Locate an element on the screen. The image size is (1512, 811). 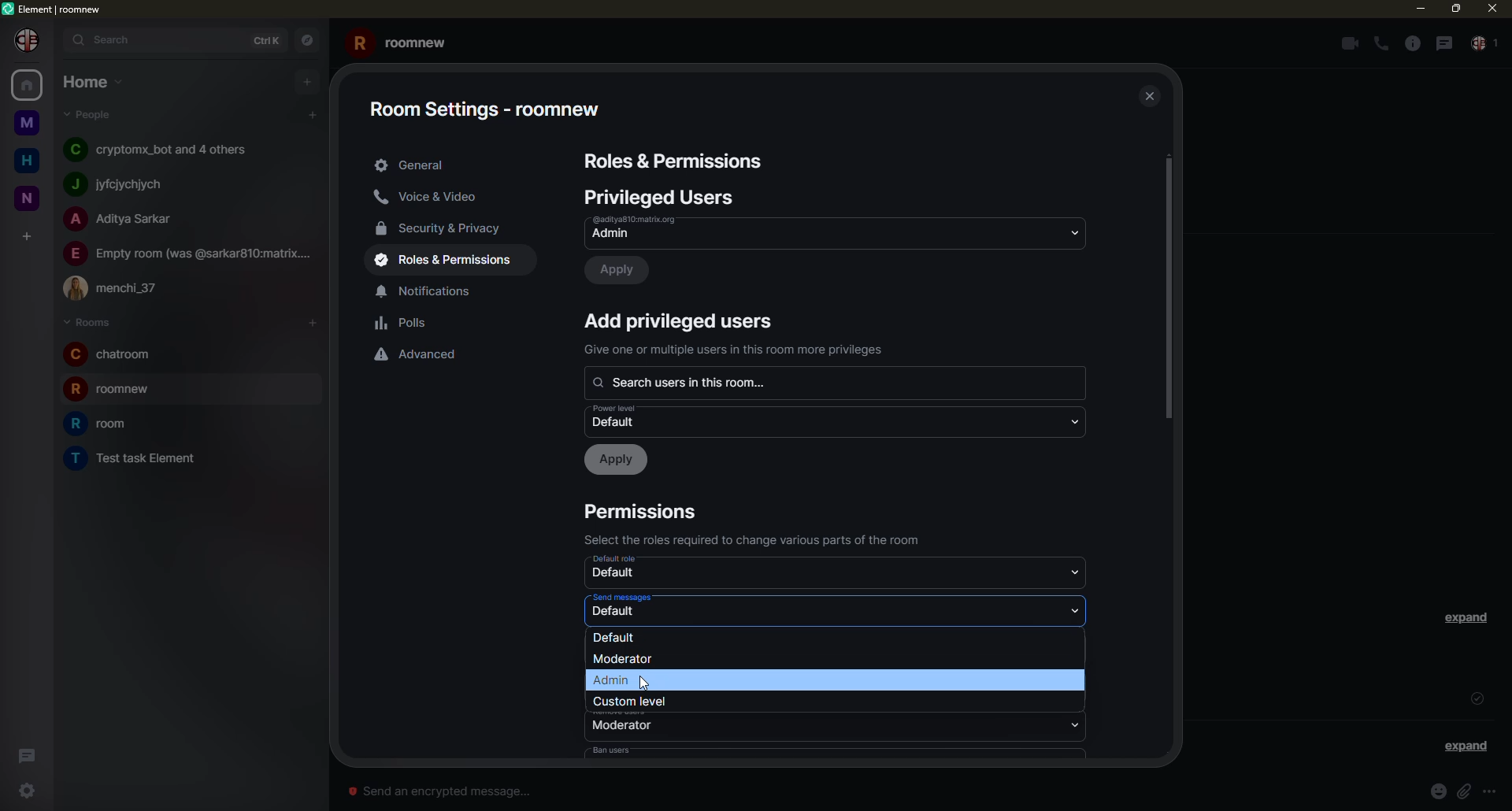
remove is located at coordinates (623, 711).